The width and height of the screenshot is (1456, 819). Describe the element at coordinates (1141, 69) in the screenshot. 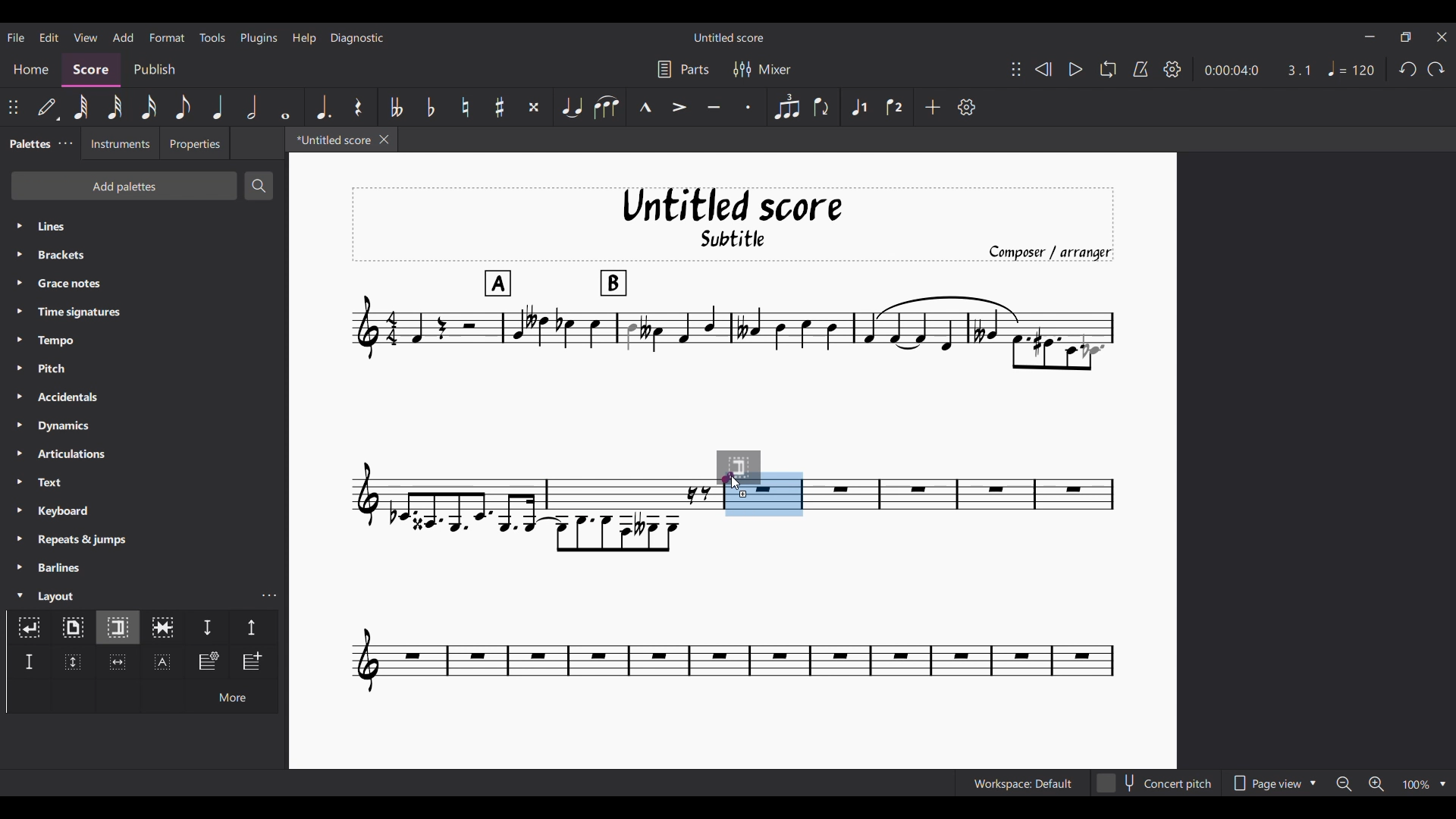

I see `Metronome` at that location.